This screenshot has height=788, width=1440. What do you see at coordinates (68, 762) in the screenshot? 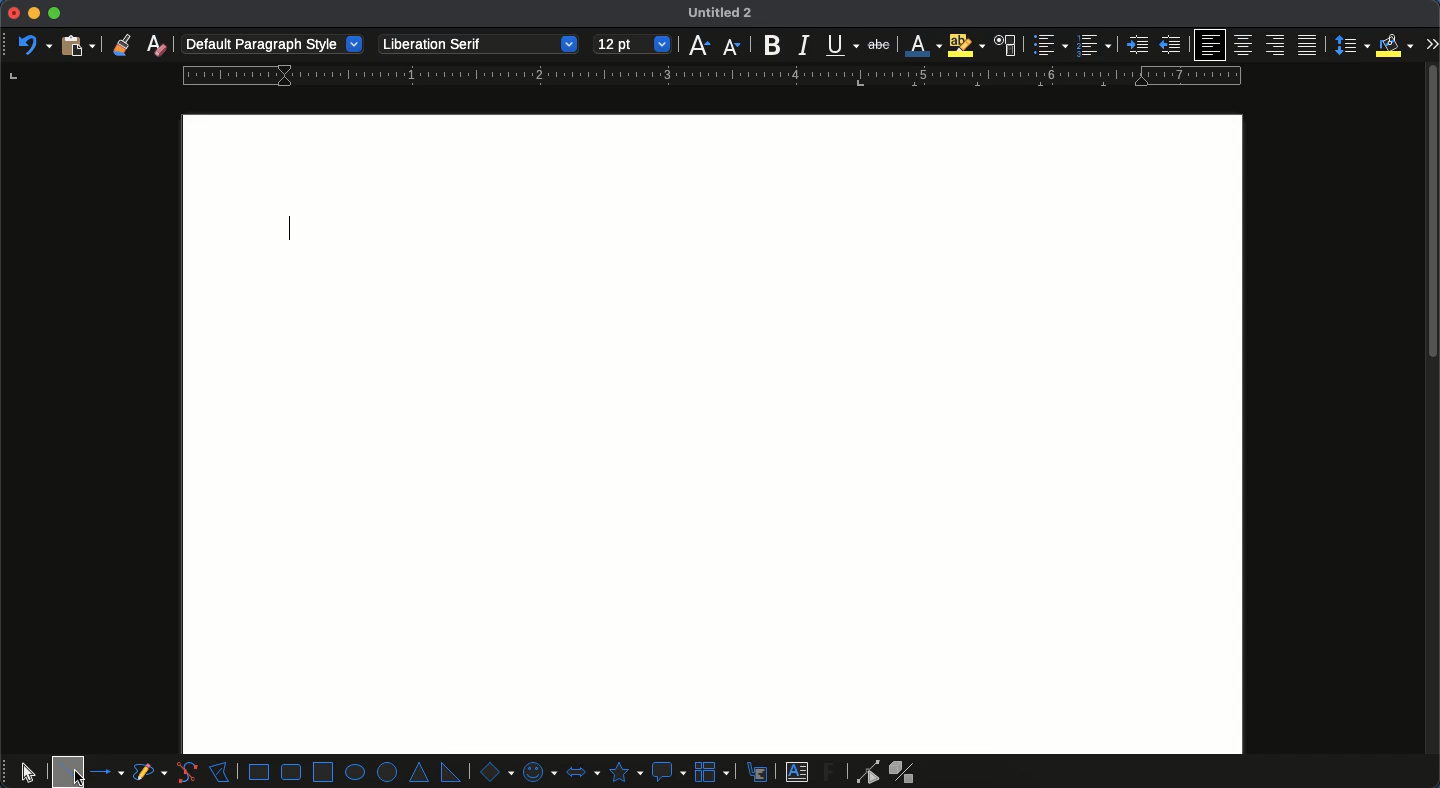
I see `line` at bounding box center [68, 762].